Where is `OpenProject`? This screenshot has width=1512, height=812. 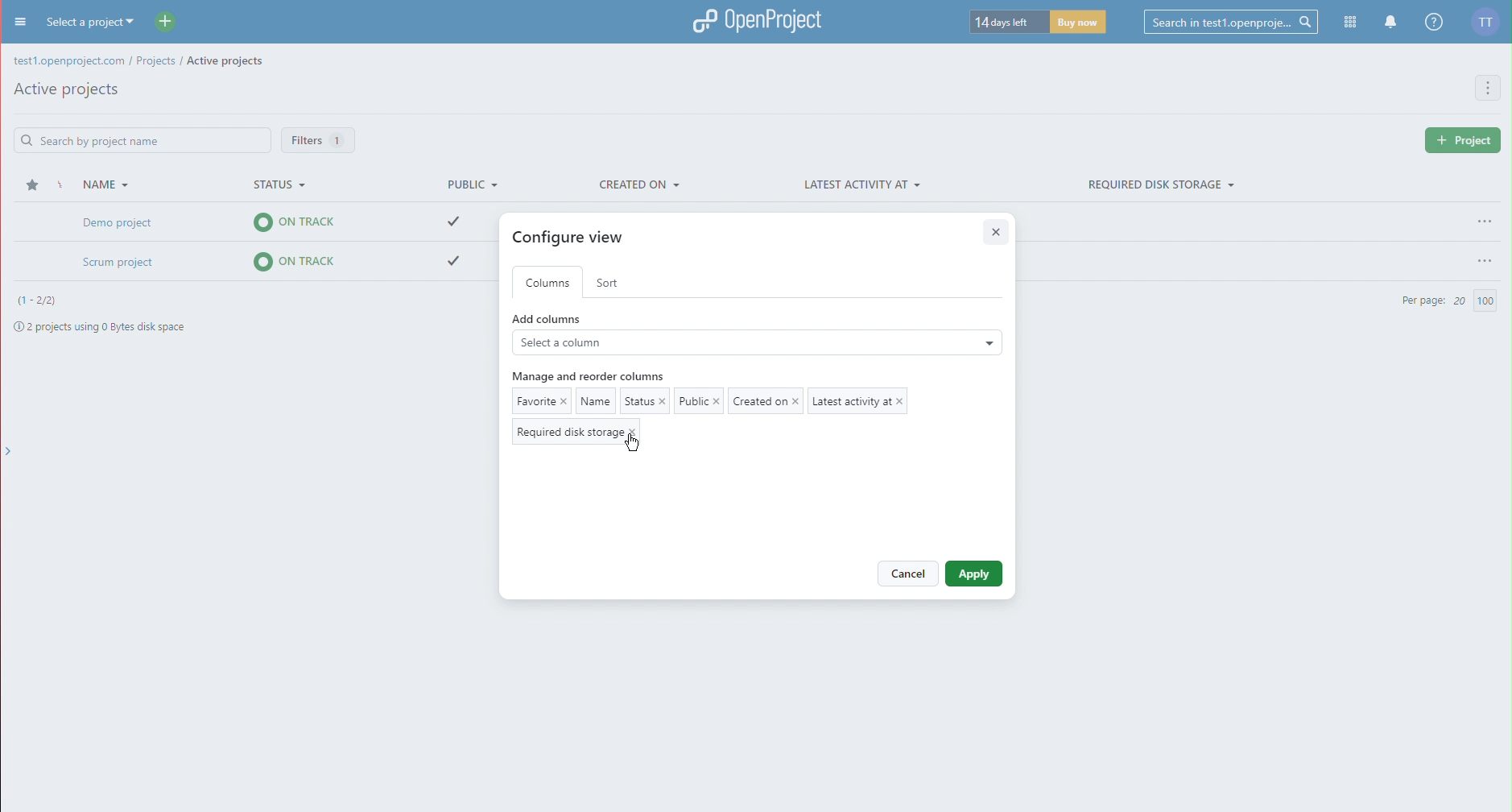 OpenProject is located at coordinates (756, 20).